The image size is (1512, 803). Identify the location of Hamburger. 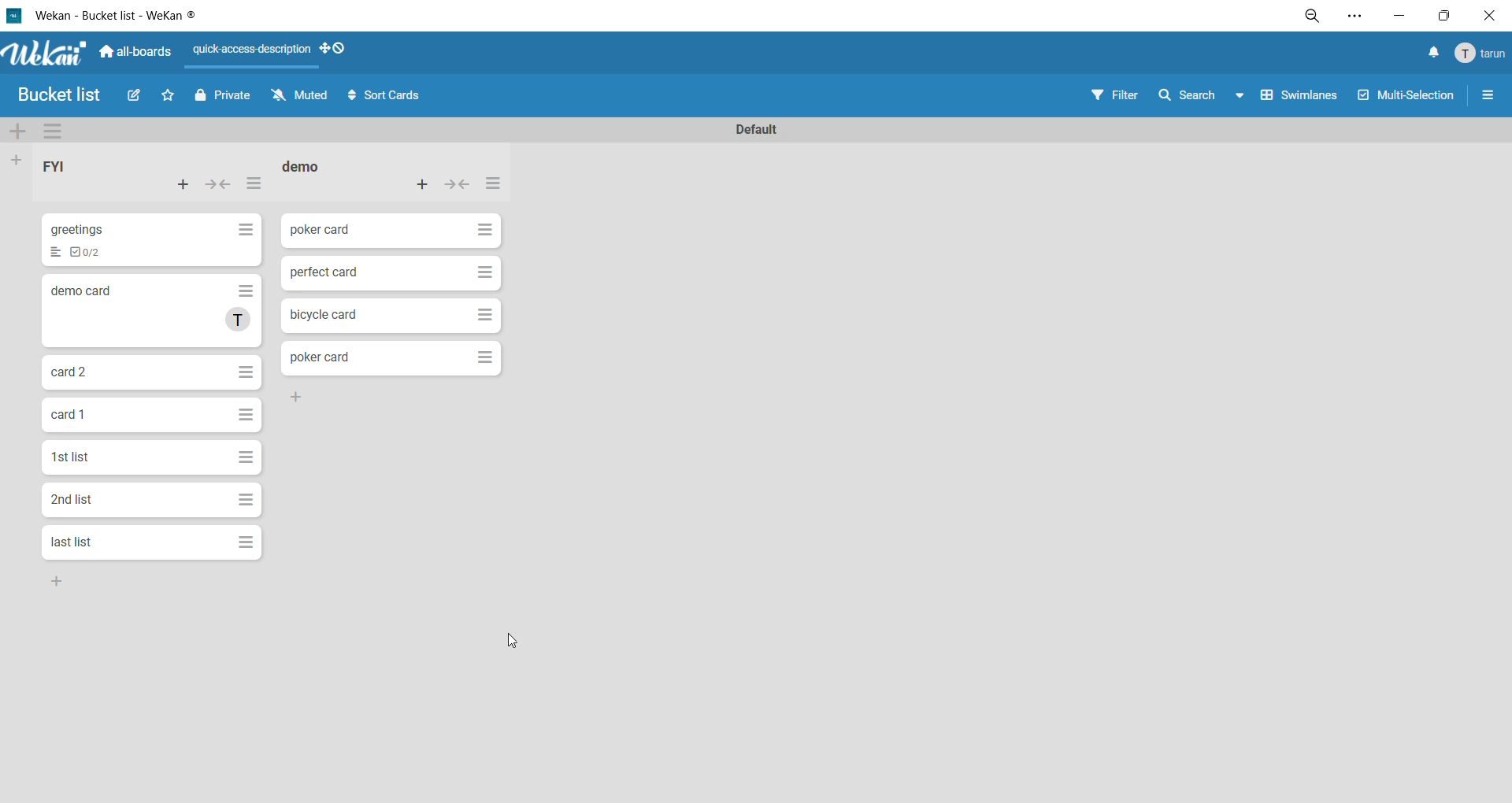
(246, 291).